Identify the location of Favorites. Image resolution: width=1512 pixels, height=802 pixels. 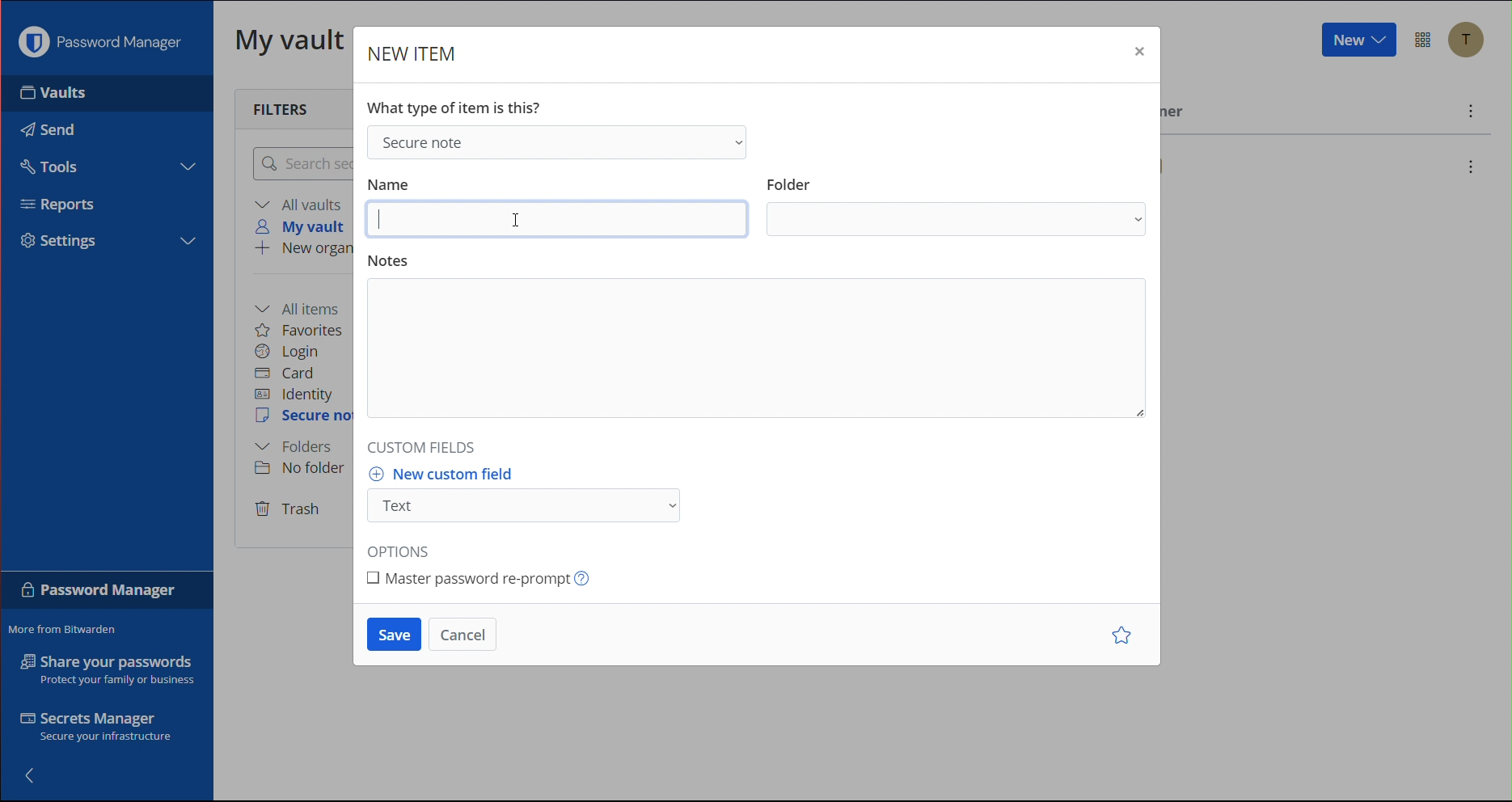
(300, 330).